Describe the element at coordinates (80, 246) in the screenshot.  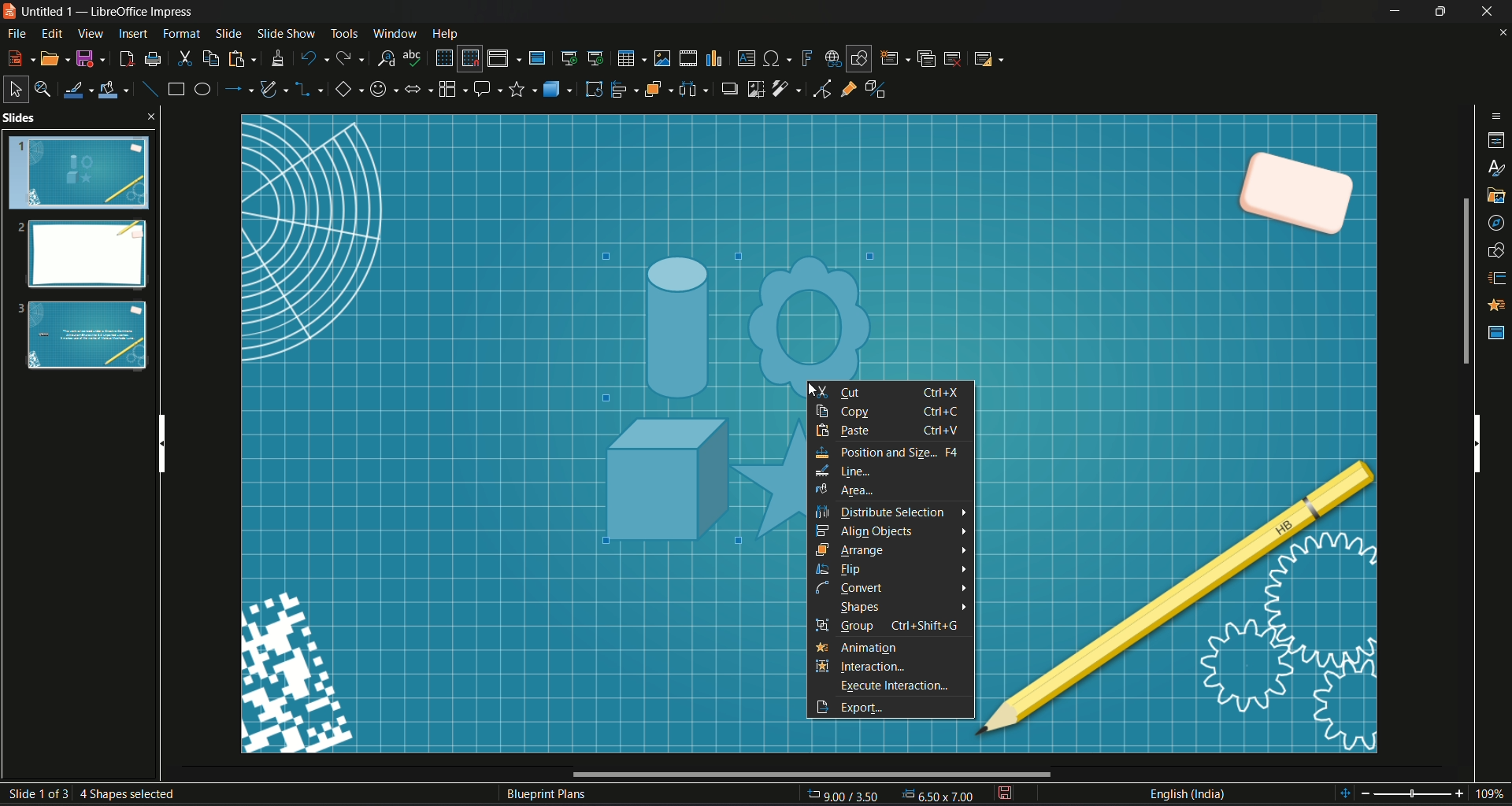
I see `Slides` at that location.